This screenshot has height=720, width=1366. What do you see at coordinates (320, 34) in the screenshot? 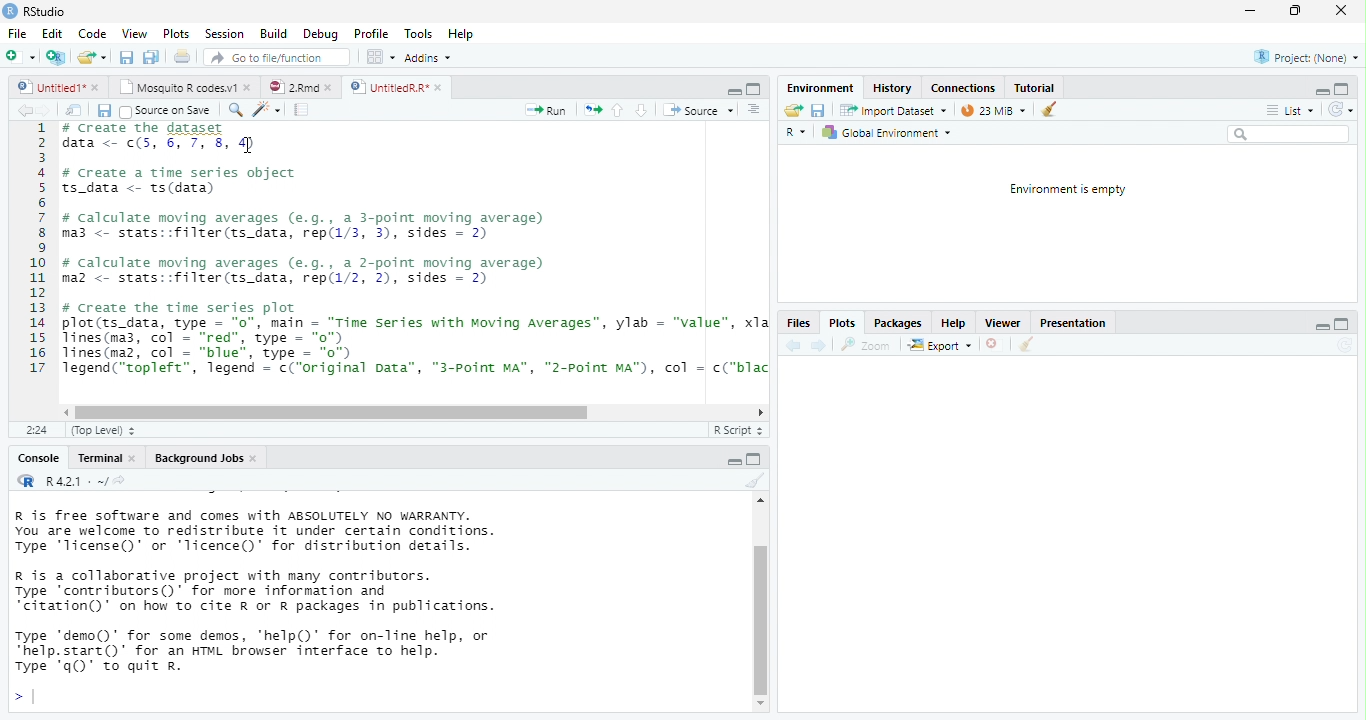
I see `Debug` at bounding box center [320, 34].